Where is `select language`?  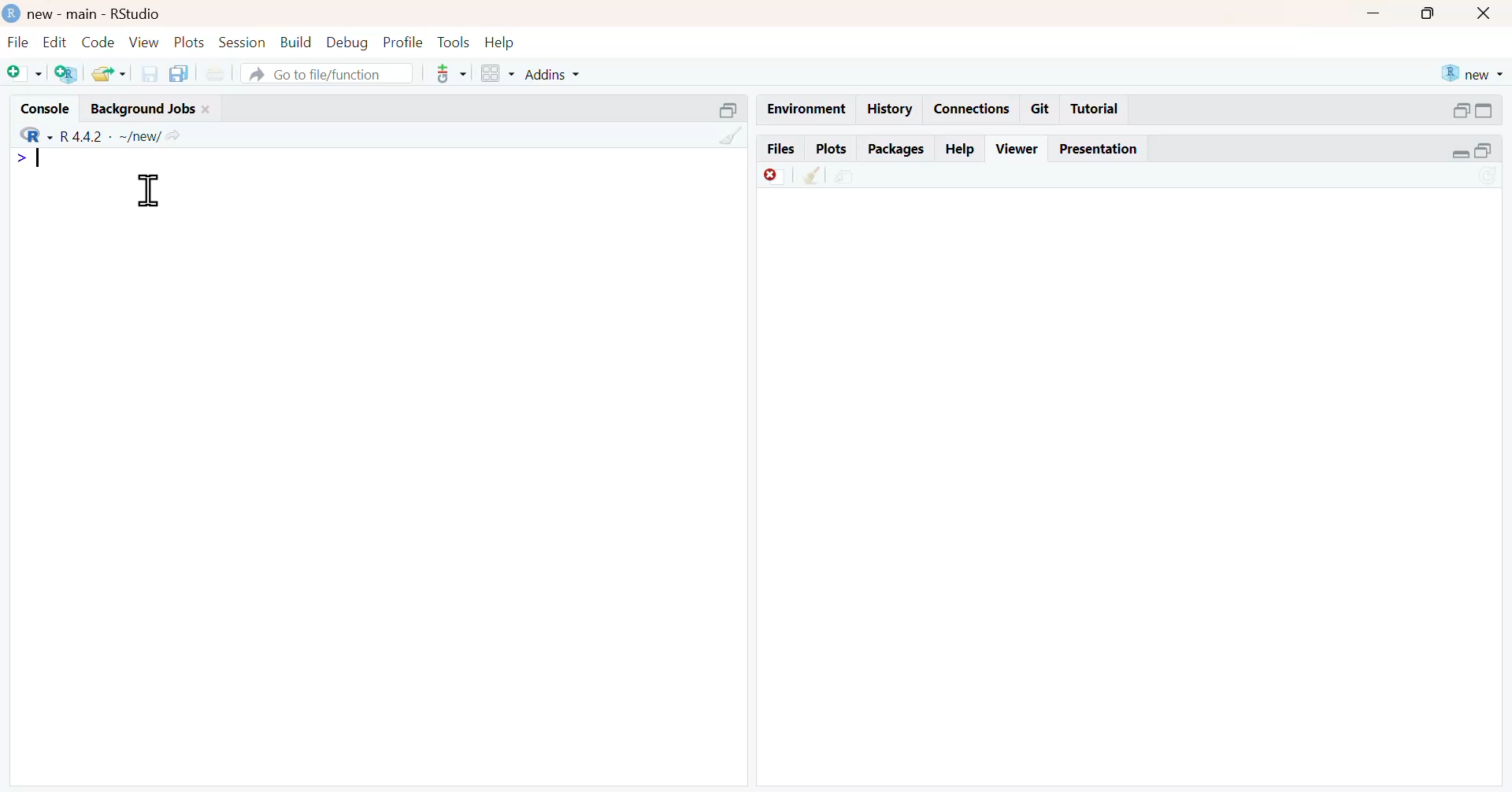 select language is located at coordinates (28, 134).